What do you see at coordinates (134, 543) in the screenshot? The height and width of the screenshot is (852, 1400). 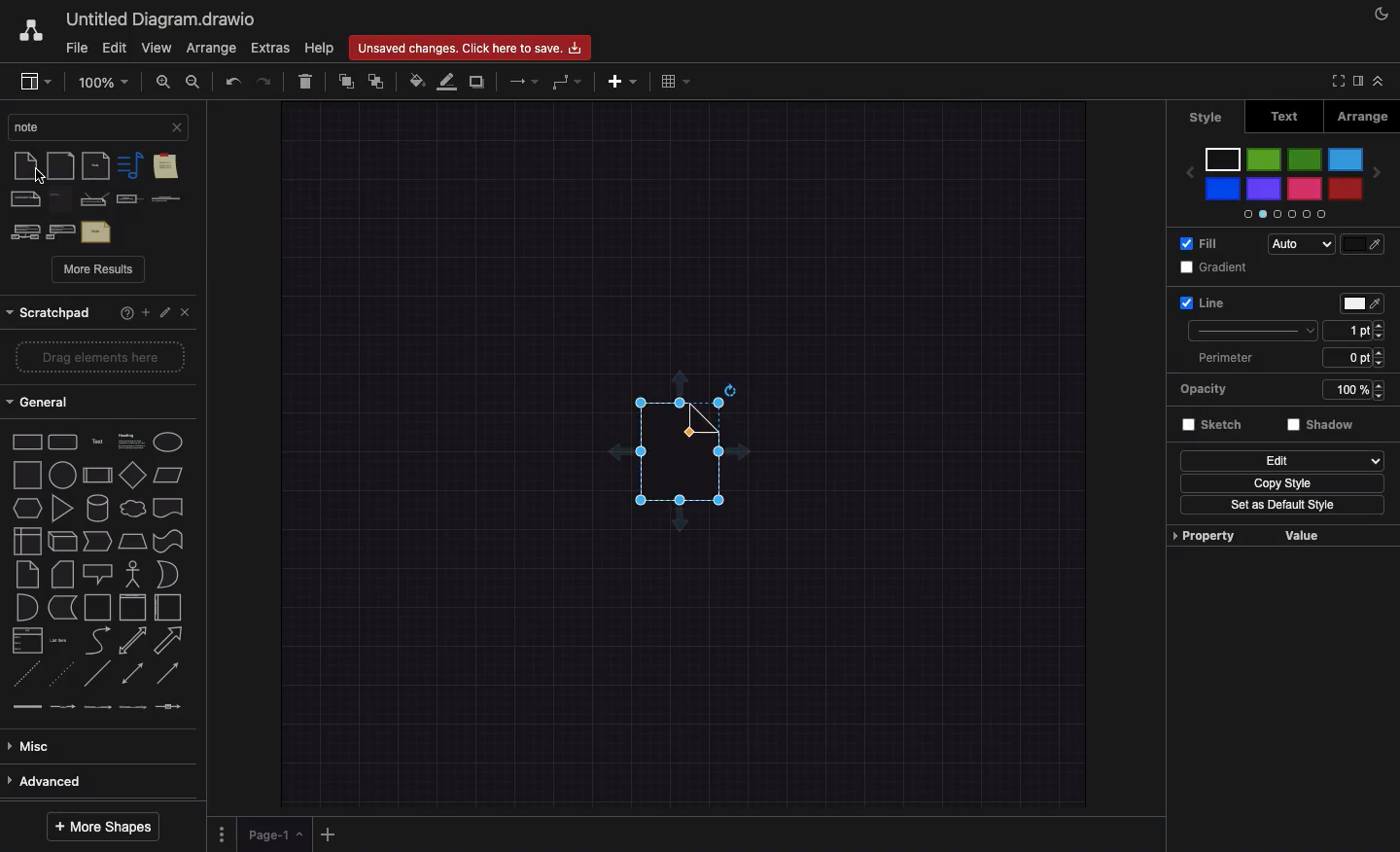 I see `trapezoid` at bounding box center [134, 543].